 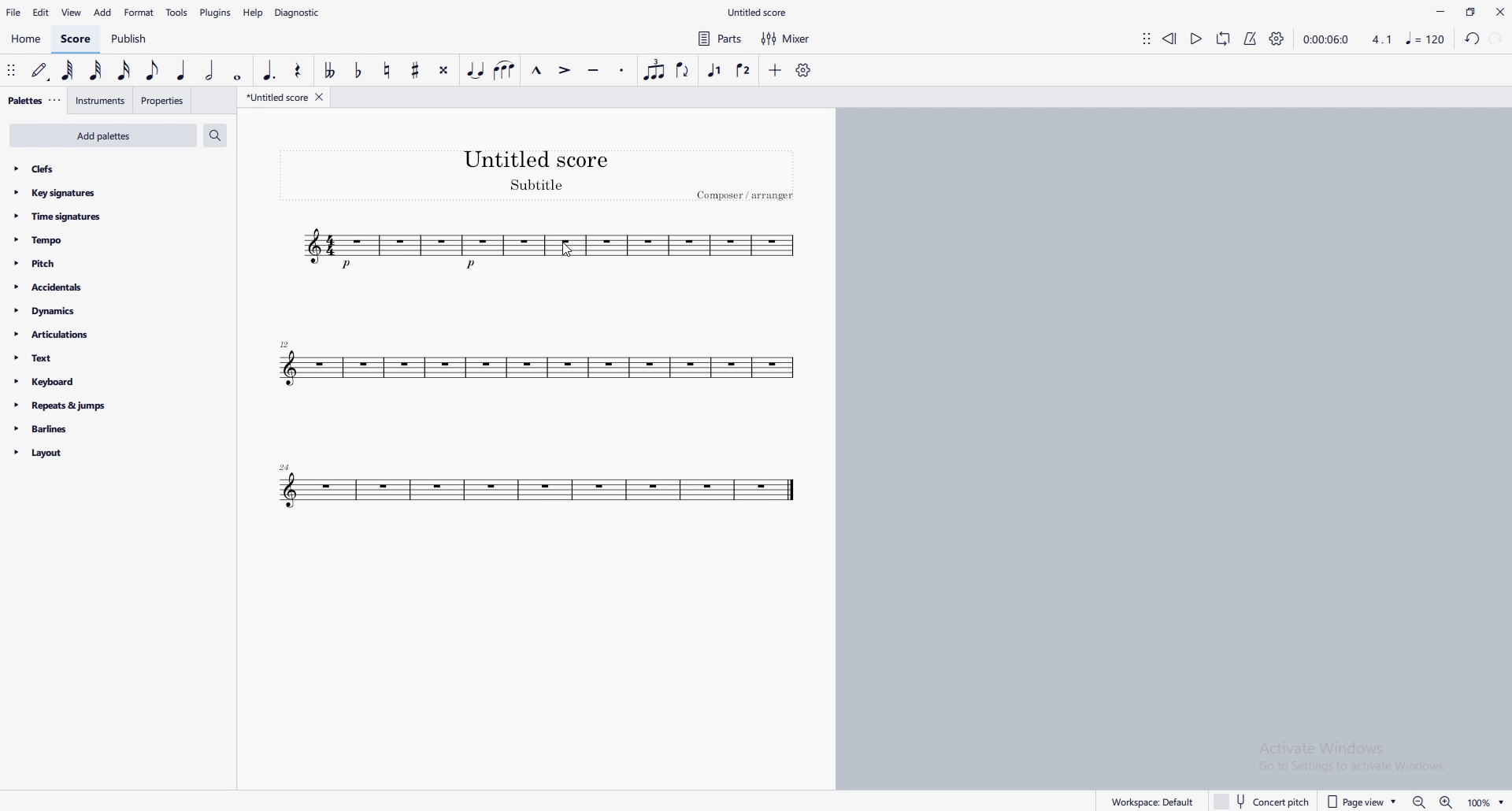 I want to click on whole dot, so click(x=237, y=73).